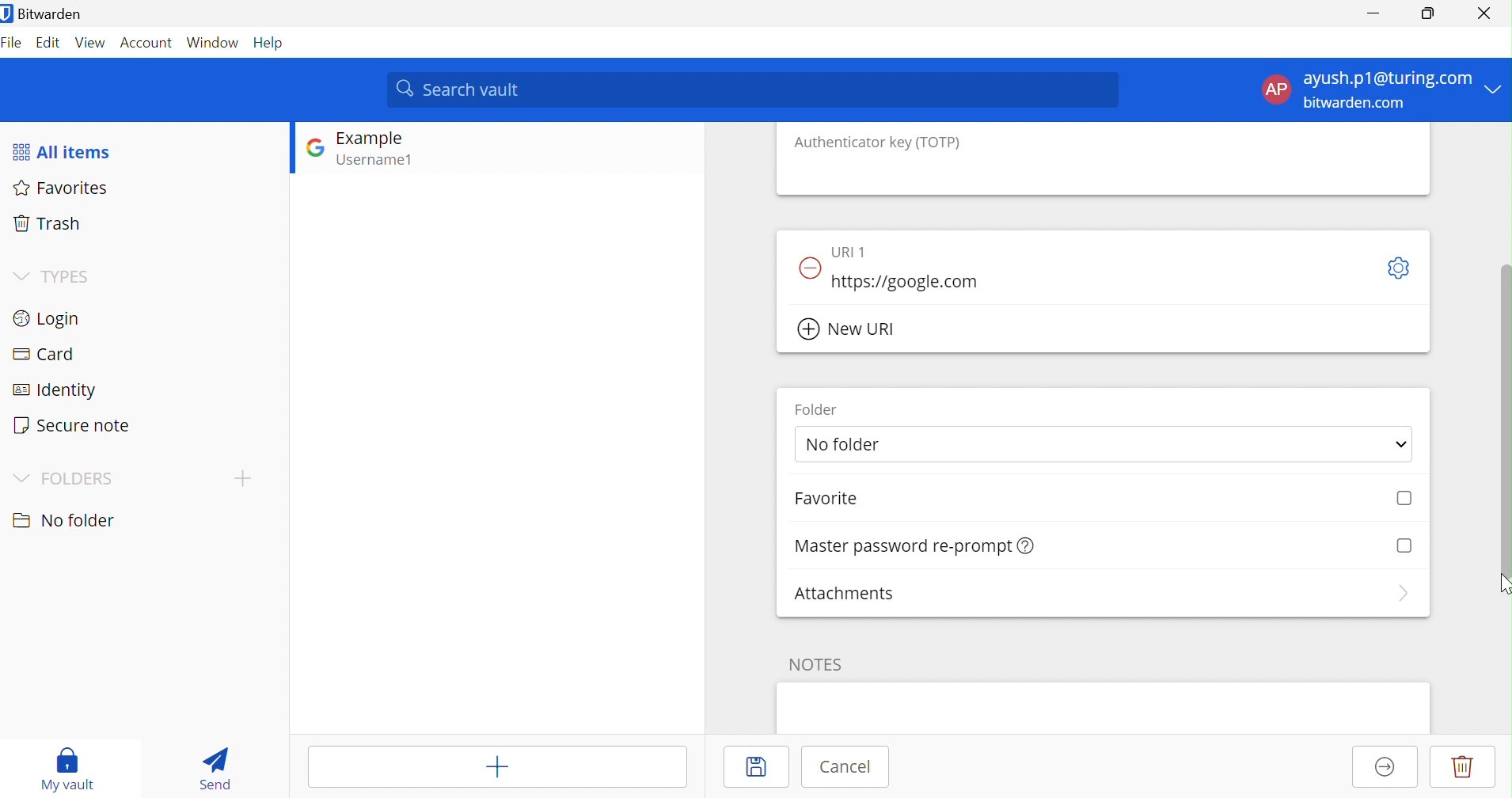 This screenshot has height=798, width=1512. I want to click on New URI, so click(851, 330).